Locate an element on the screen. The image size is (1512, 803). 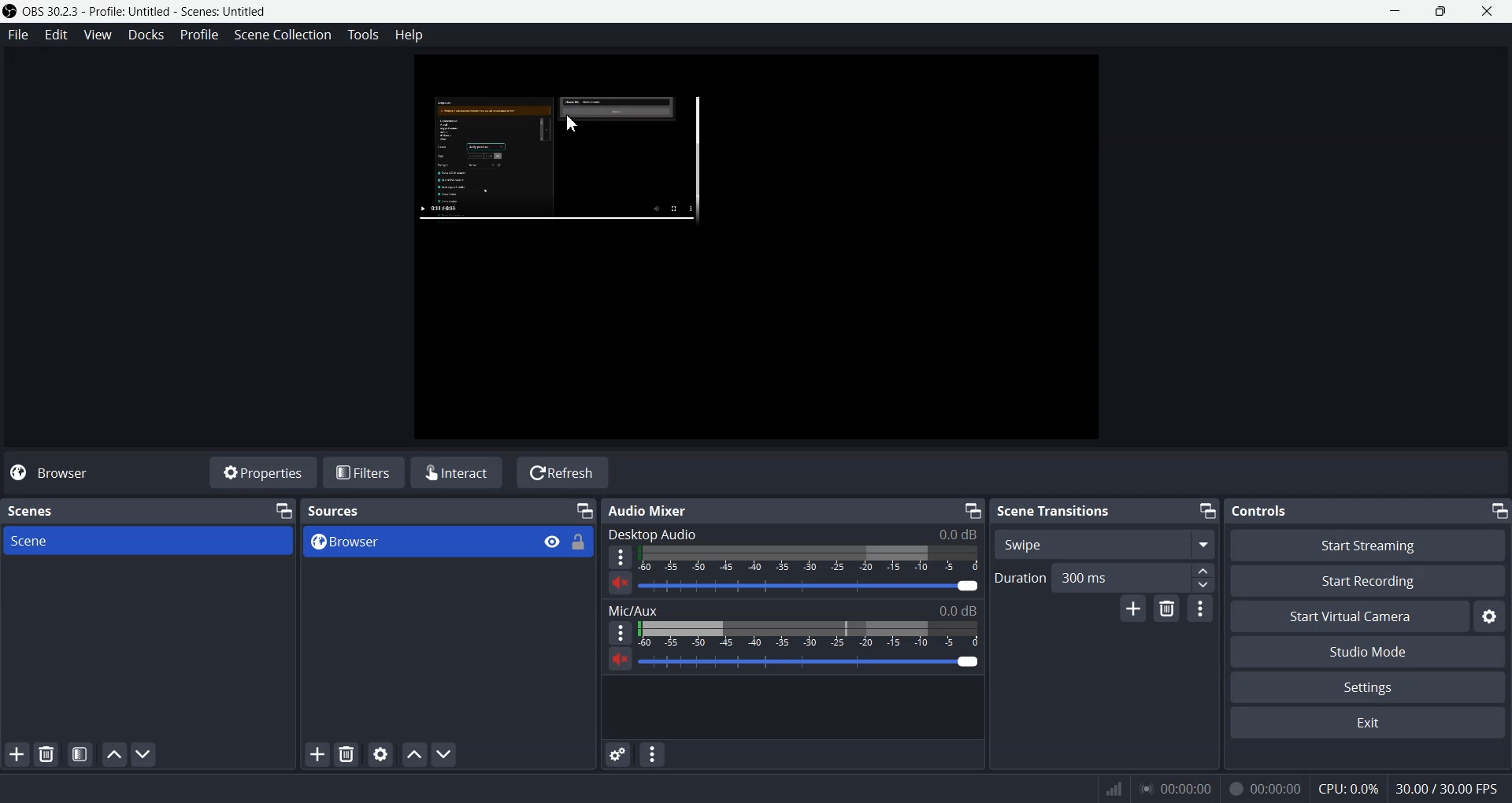
Tools is located at coordinates (363, 34).